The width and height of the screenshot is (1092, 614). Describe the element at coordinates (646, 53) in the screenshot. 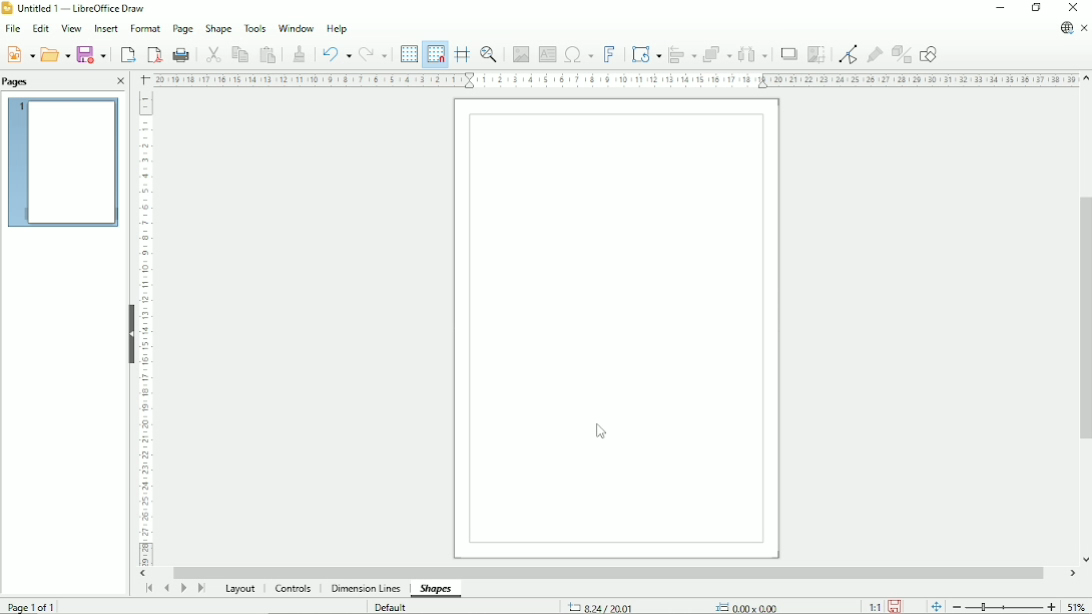

I see `Transformation` at that location.